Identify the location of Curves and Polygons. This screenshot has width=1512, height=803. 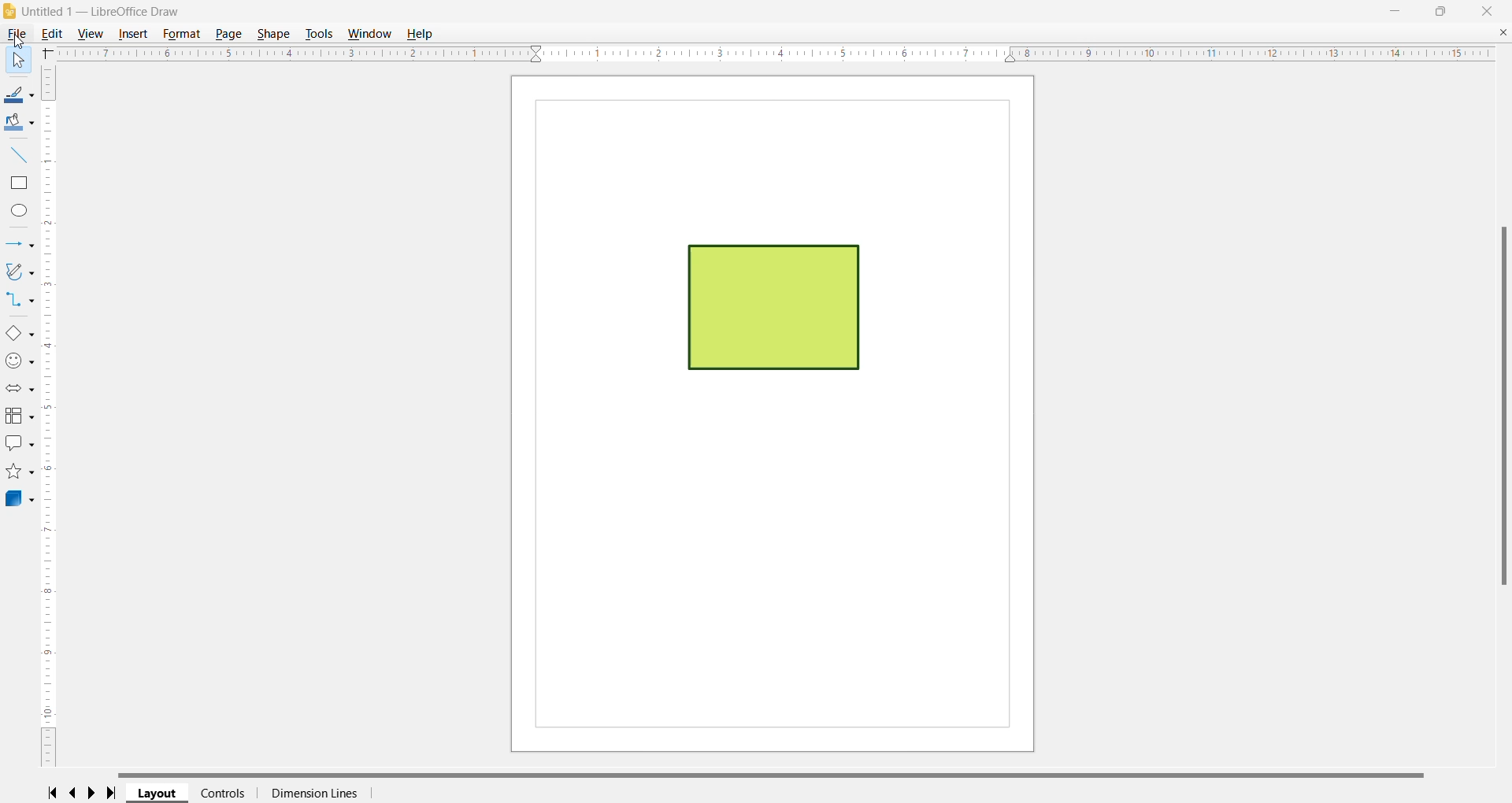
(19, 272).